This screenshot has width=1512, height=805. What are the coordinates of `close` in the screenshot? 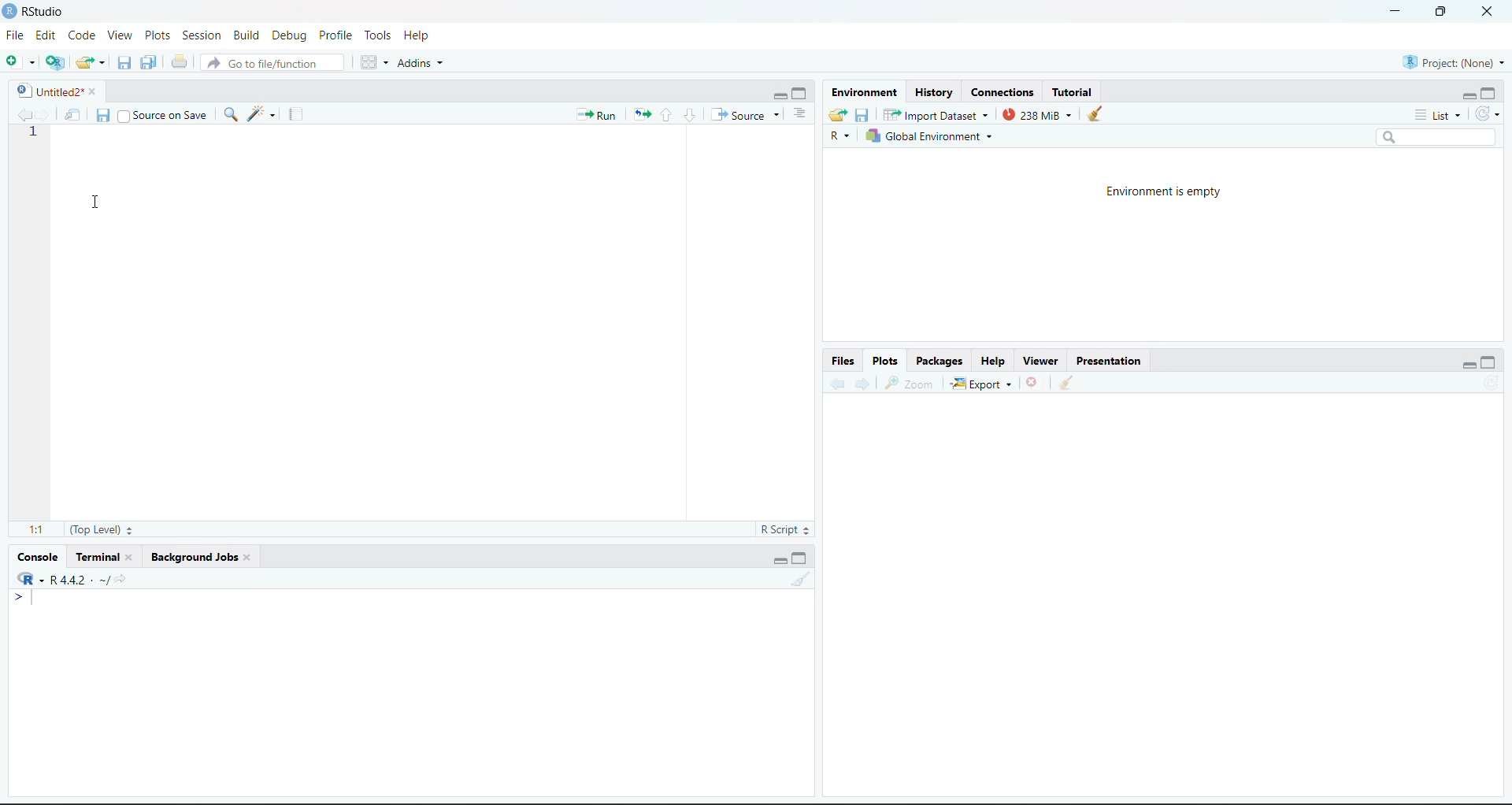 It's located at (98, 91).